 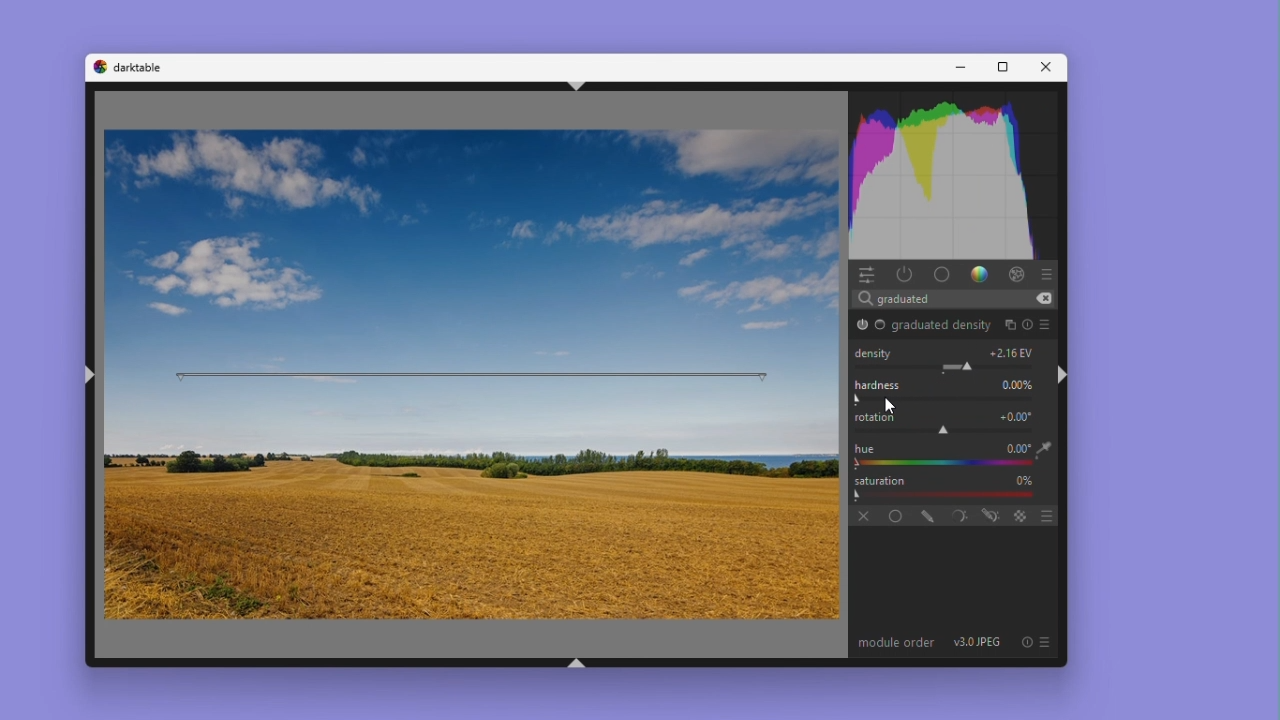 I want to click on eyedropper tool logo, so click(x=1045, y=449).